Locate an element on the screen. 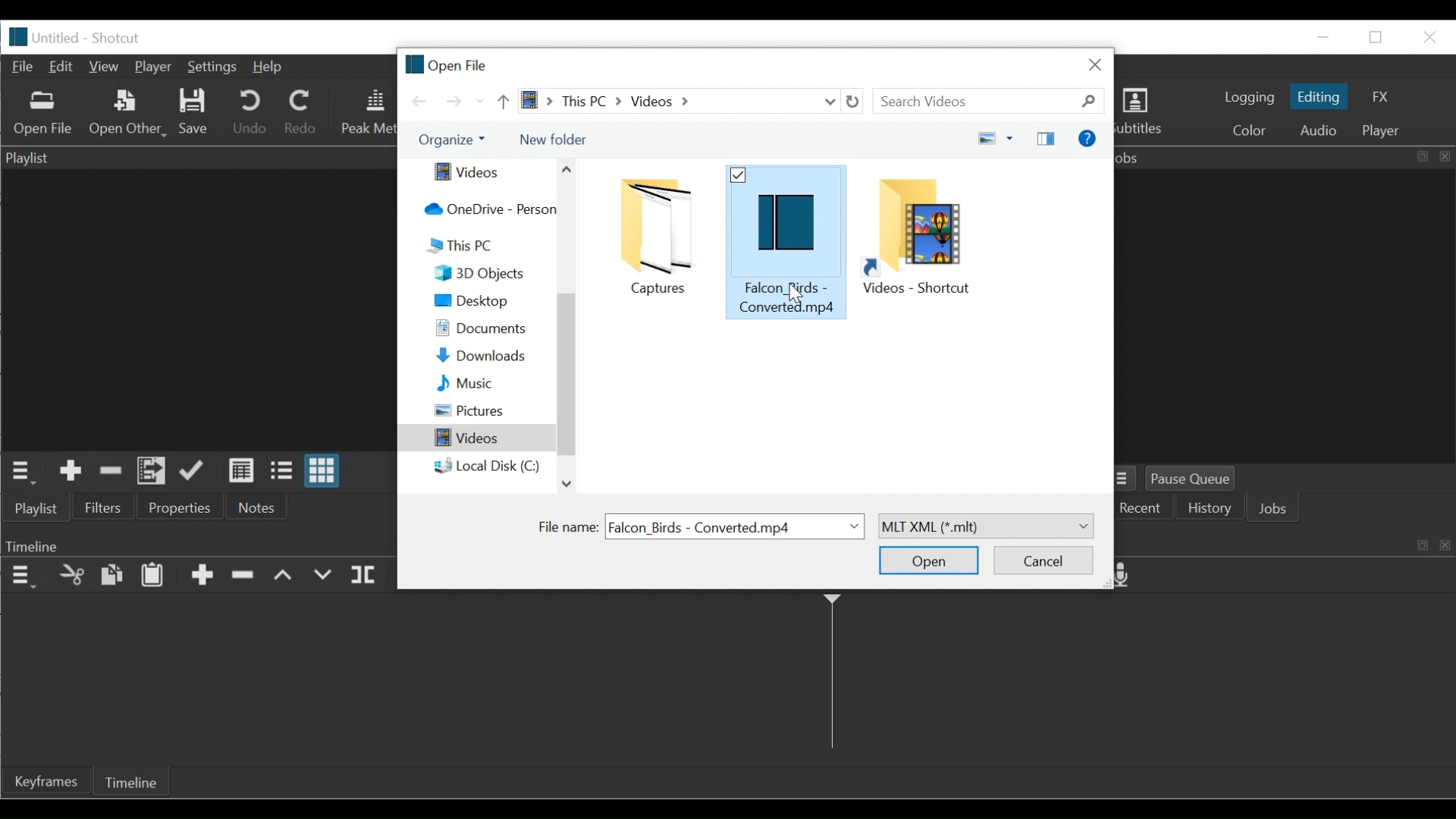 The image size is (1456, 819). File name is located at coordinates (565, 527).